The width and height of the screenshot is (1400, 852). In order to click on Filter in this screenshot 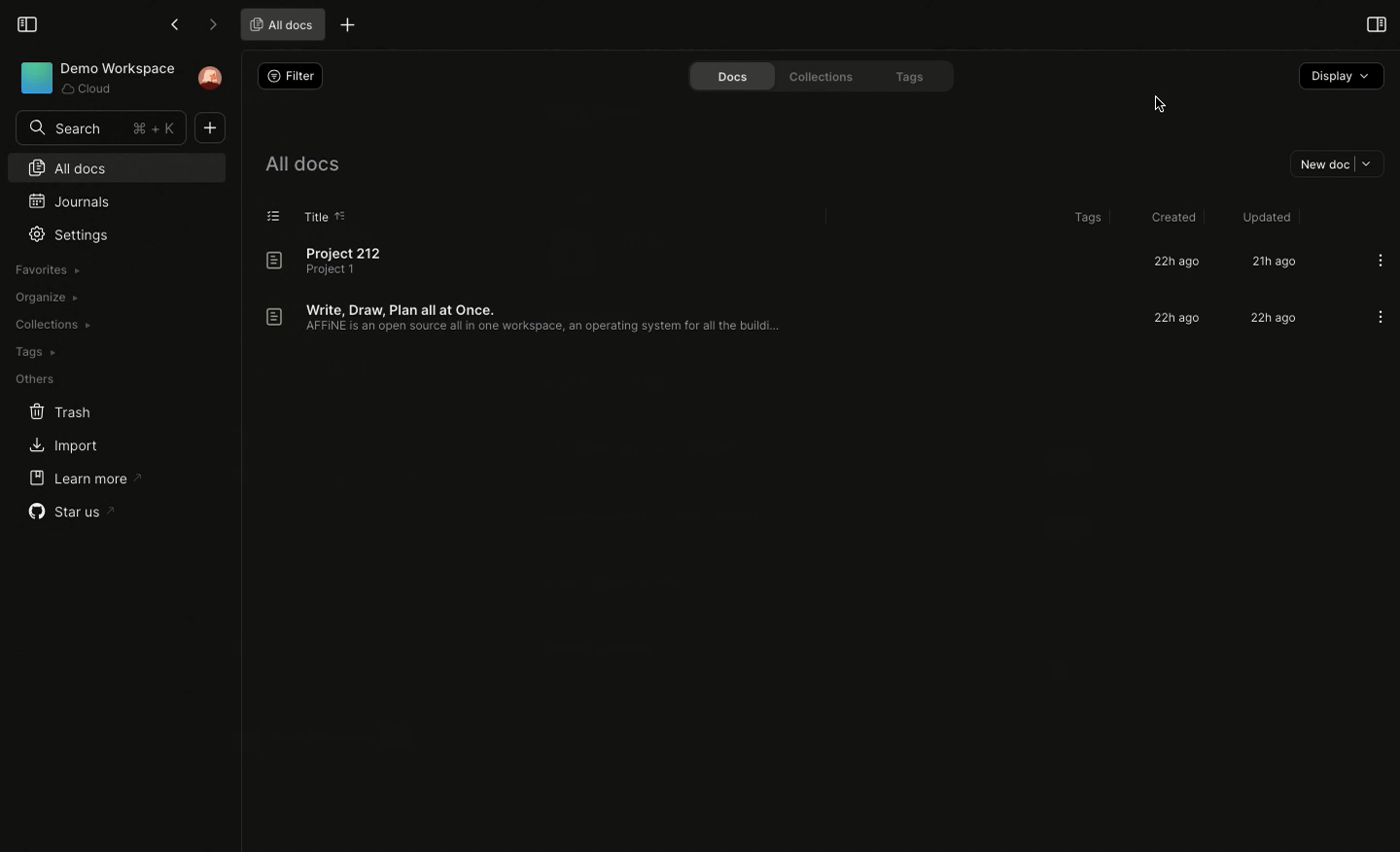, I will do `click(290, 76)`.